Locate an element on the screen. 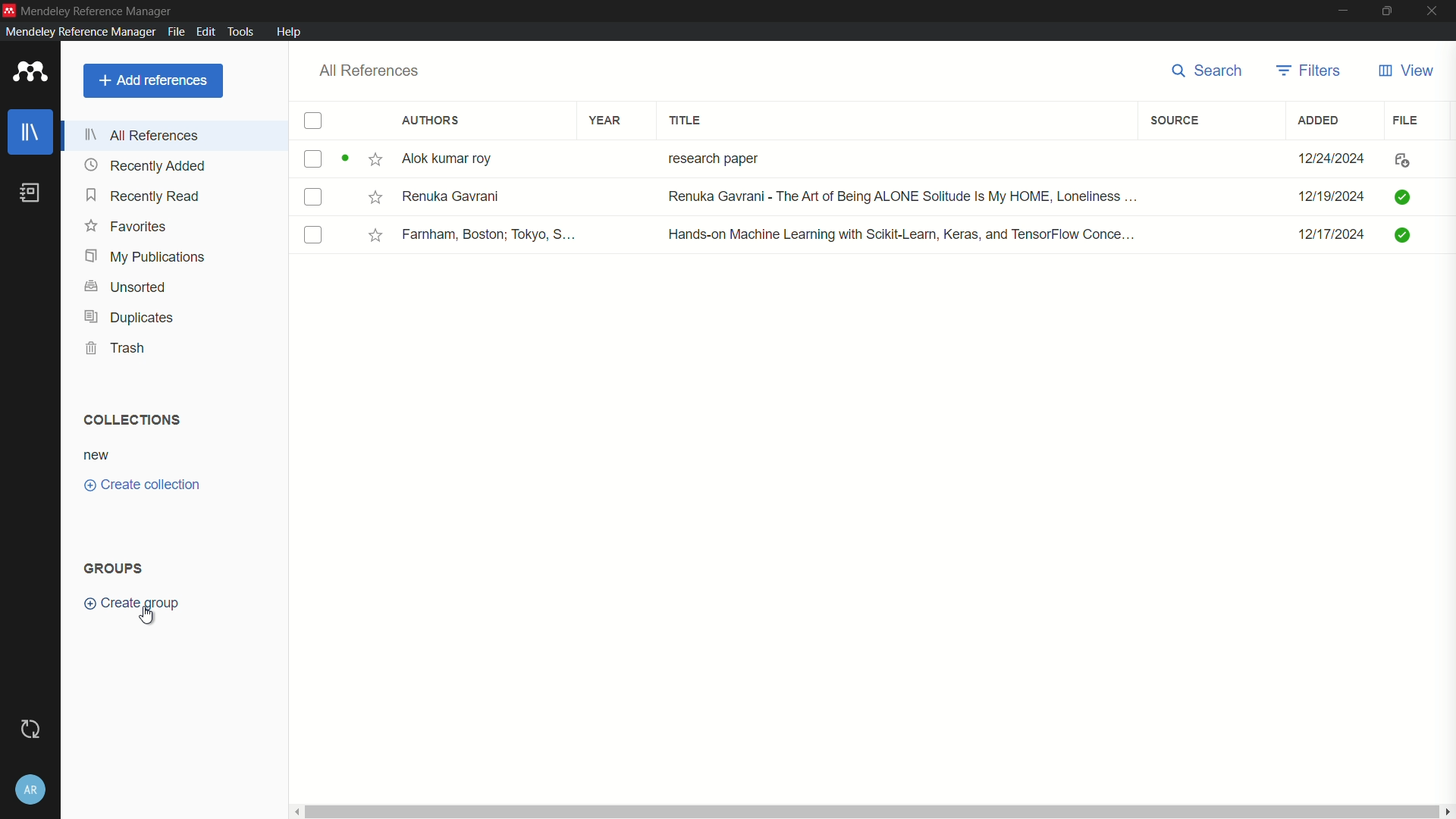  Date is located at coordinates (1334, 158).